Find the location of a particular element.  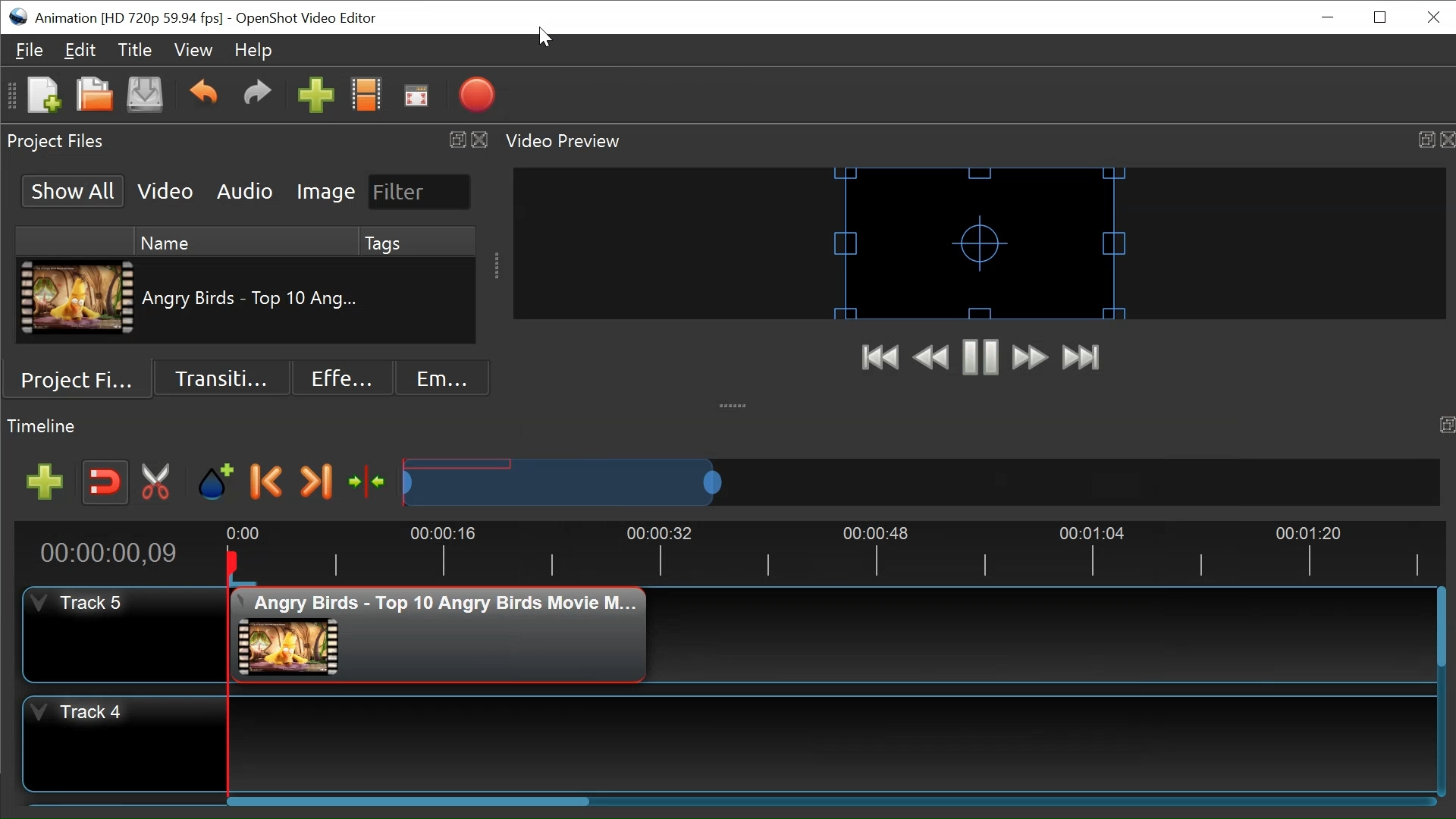

Edit is located at coordinates (80, 49).